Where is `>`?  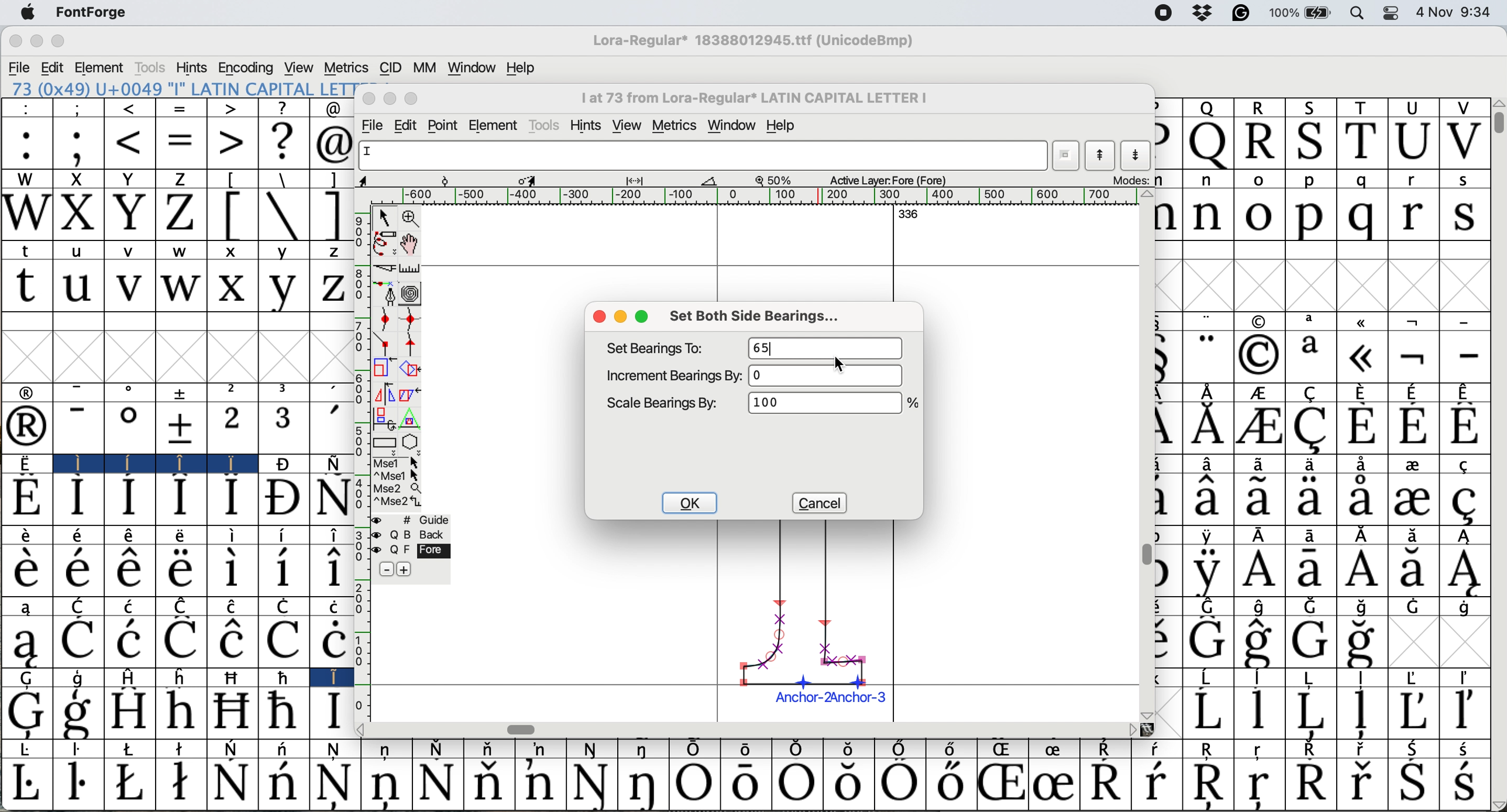 > is located at coordinates (232, 142).